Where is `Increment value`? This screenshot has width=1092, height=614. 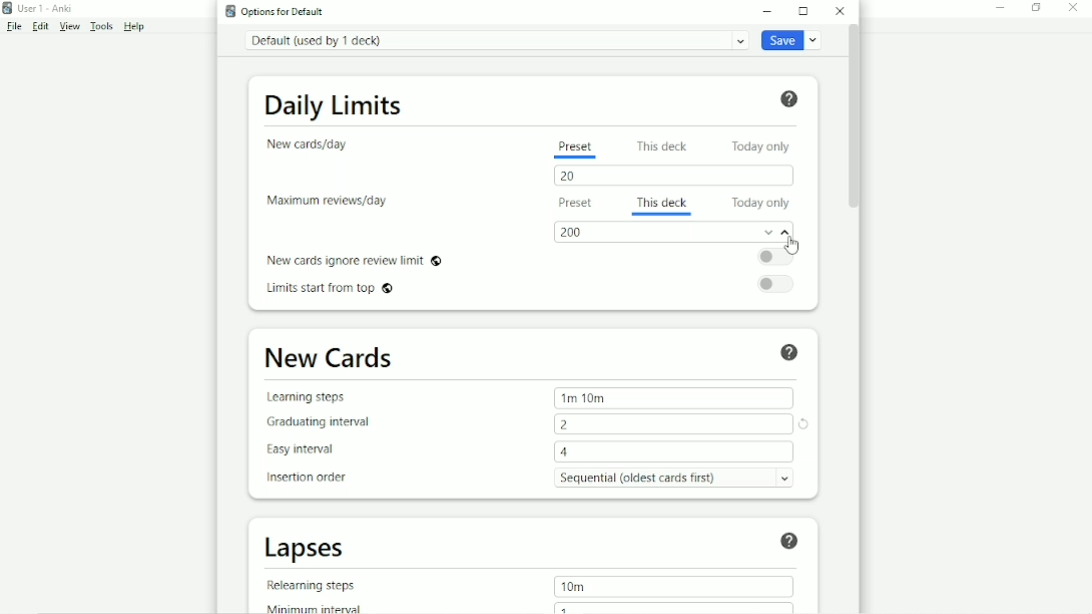 Increment value is located at coordinates (786, 235).